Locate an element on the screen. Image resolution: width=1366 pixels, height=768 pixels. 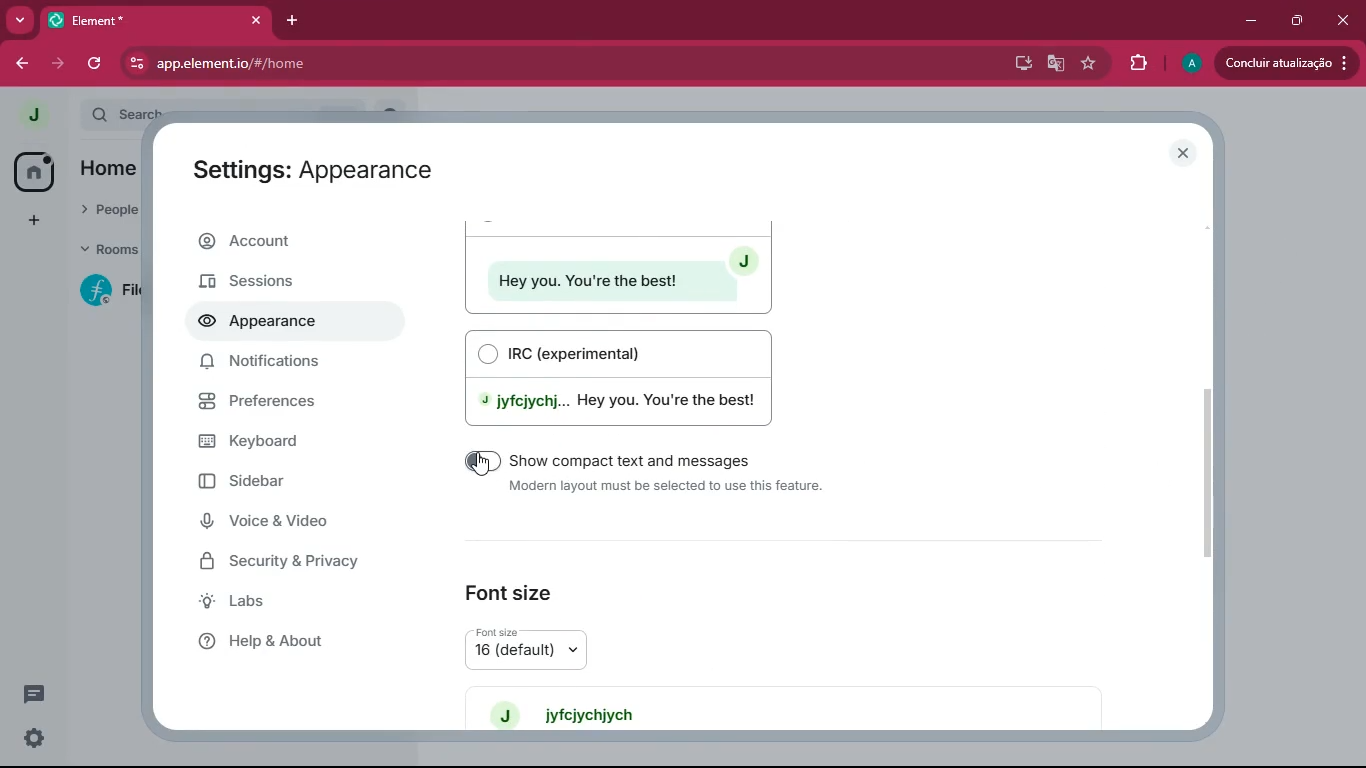
refresh is located at coordinates (93, 64).